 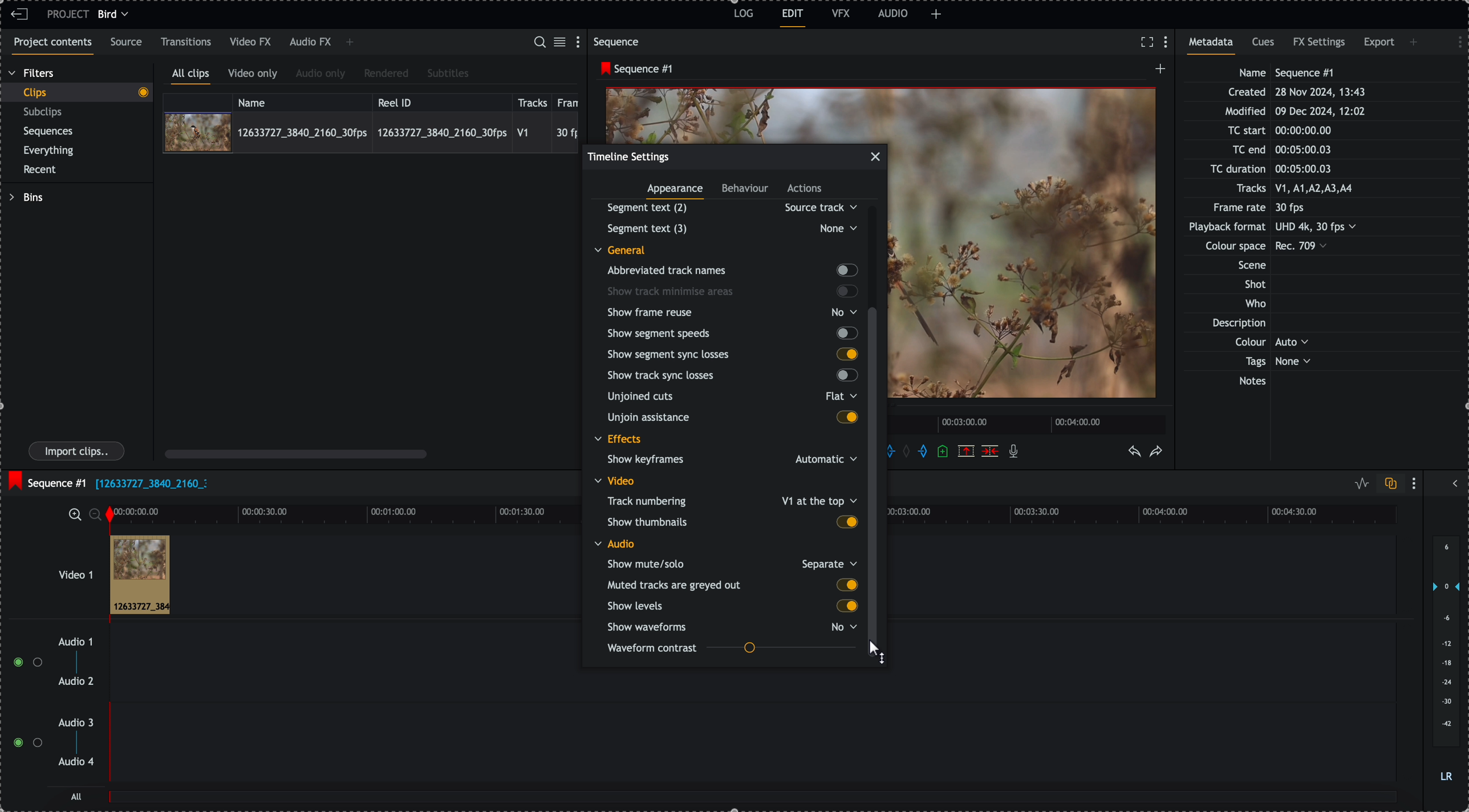 What do you see at coordinates (91, 14) in the screenshot?
I see `project bird` at bounding box center [91, 14].